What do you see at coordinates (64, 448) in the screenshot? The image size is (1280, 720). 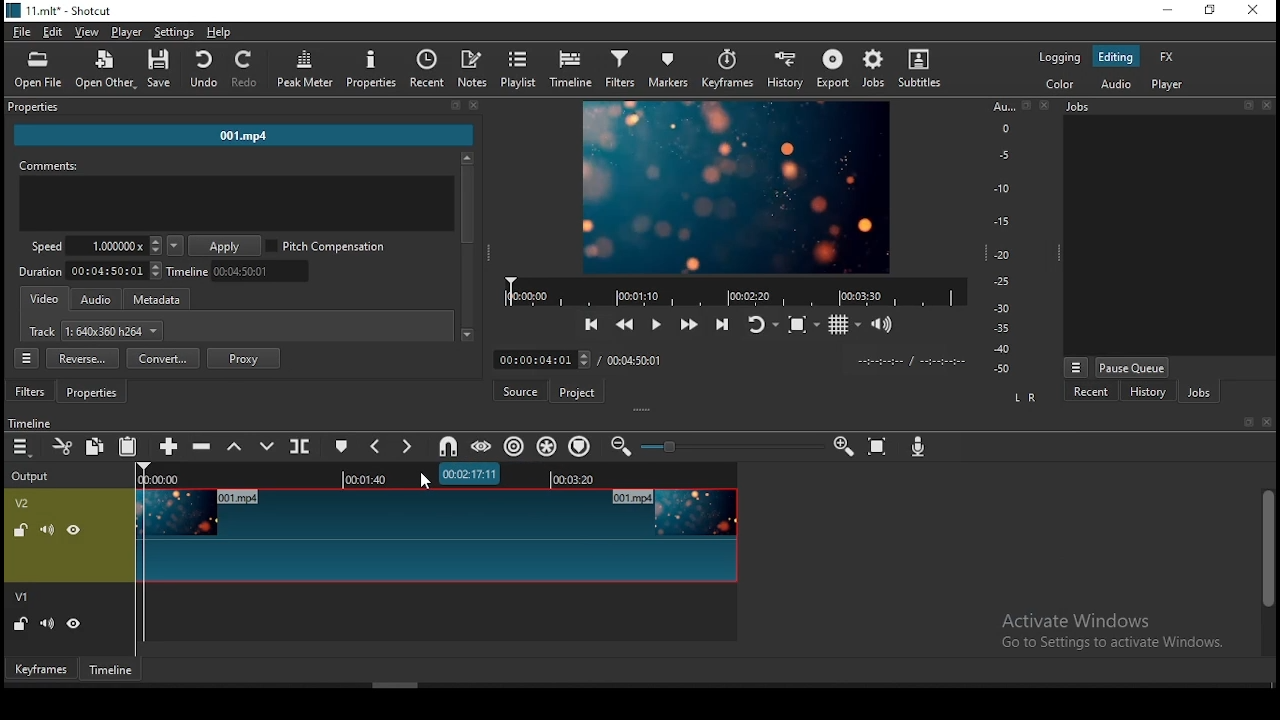 I see `cut` at bounding box center [64, 448].